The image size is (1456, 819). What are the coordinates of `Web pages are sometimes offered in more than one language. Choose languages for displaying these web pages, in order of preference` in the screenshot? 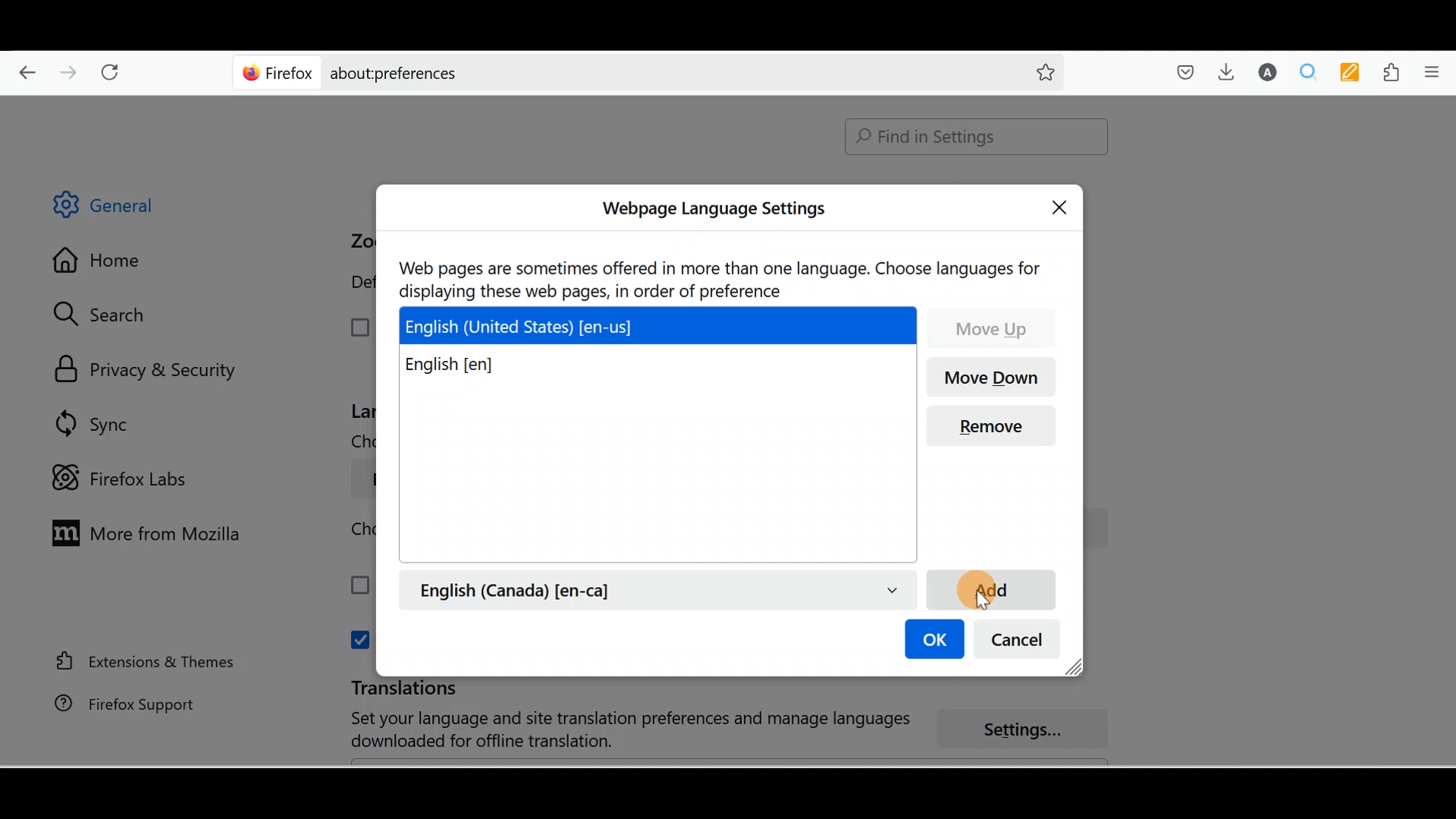 It's located at (723, 278).